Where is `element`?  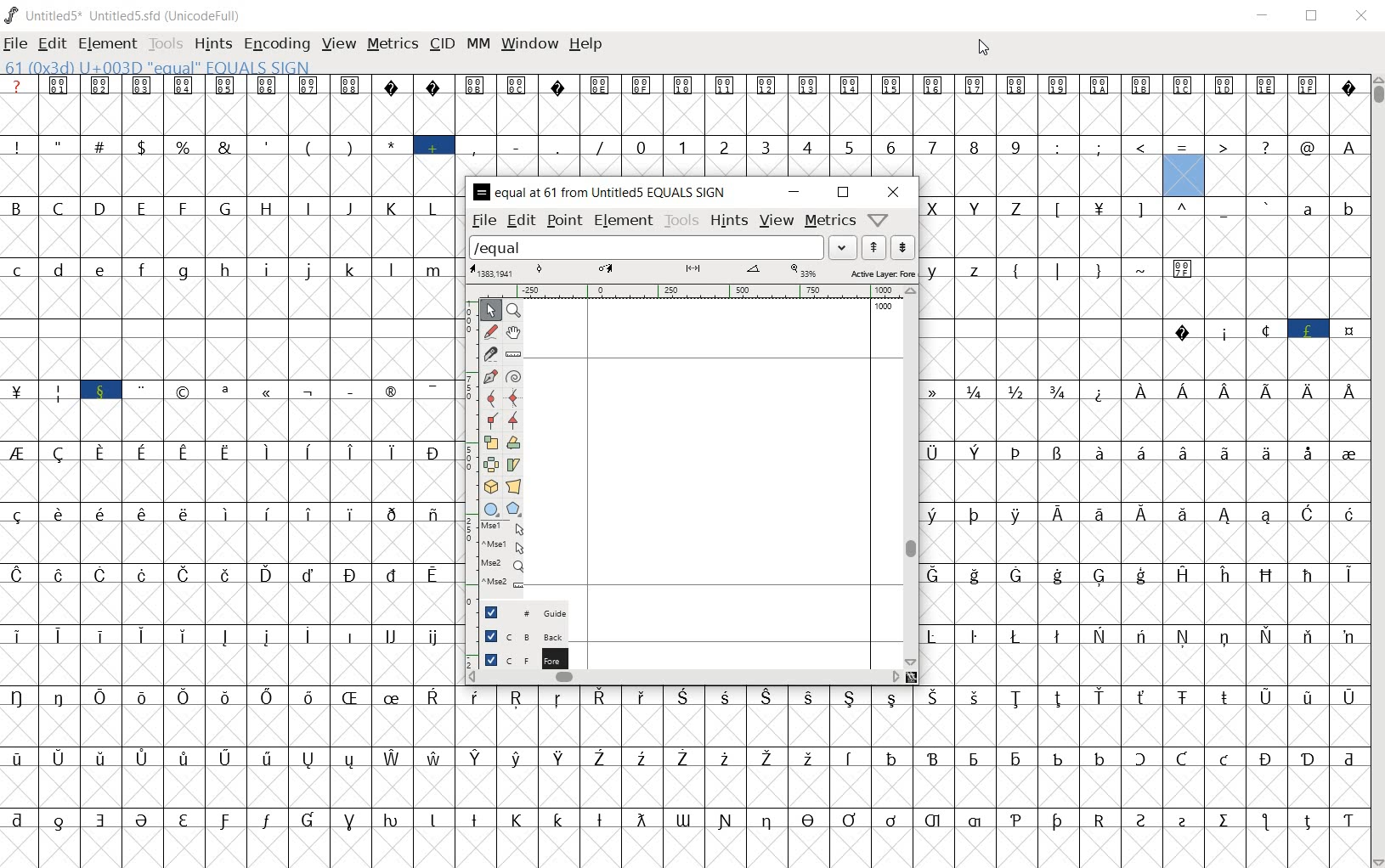 element is located at coordinates (105, 42).